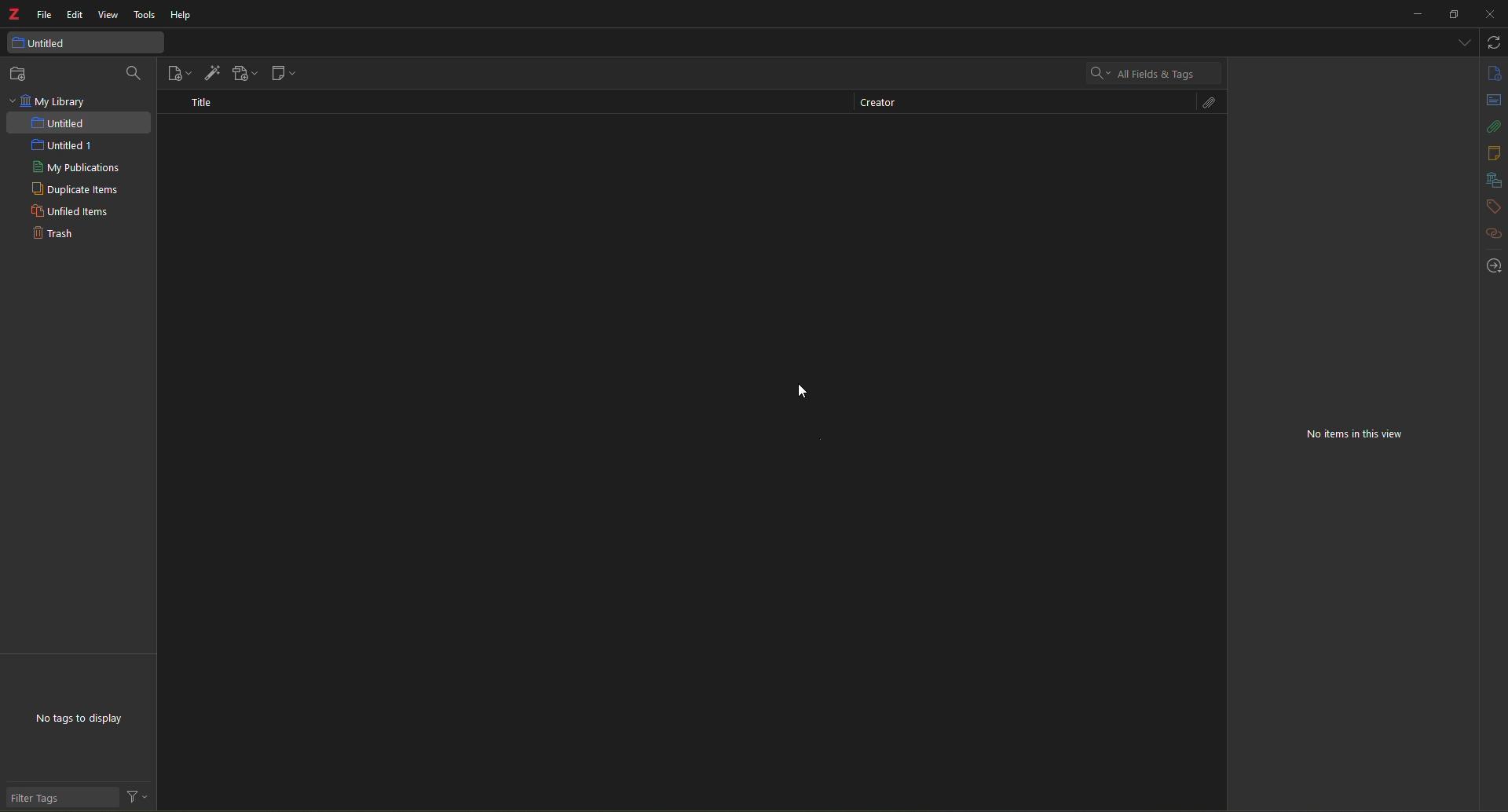  Describe the element at coordinates (617, 181) in the screenshot. I see `deleted` at that location.